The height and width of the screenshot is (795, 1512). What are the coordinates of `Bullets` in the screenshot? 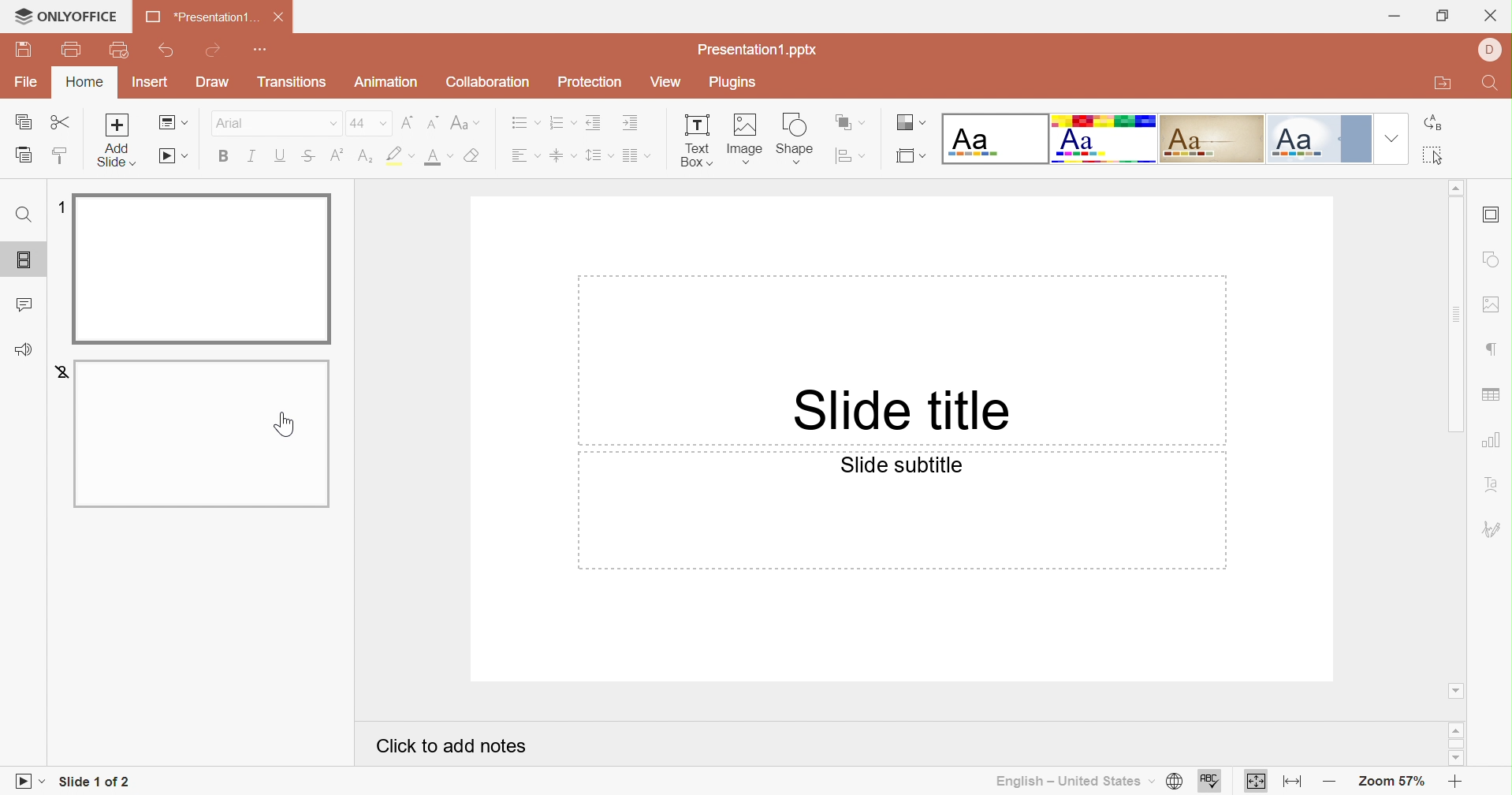 It's located at (523, 122).